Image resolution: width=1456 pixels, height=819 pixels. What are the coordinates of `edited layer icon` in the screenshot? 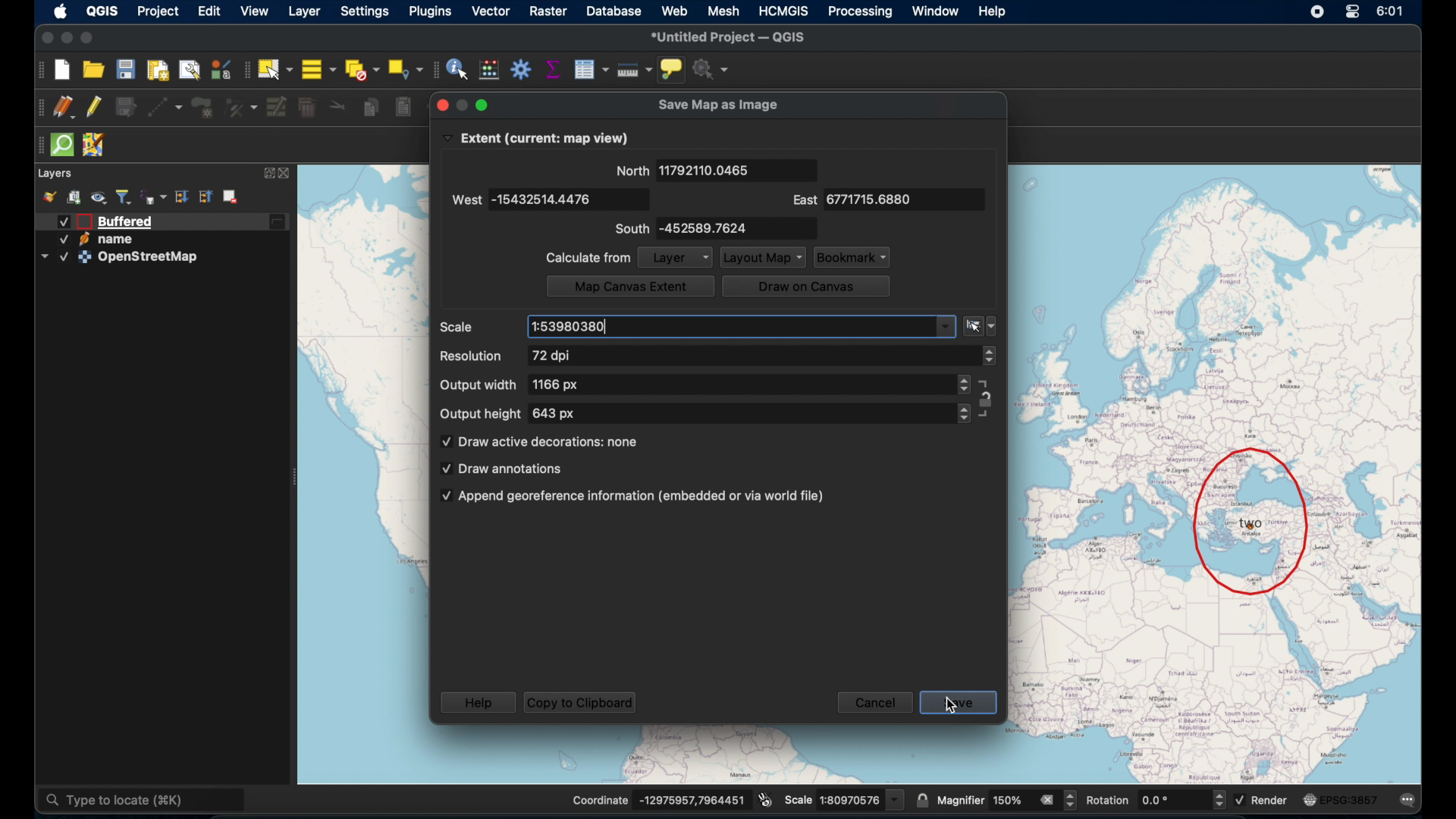 It's located at (280, 223).